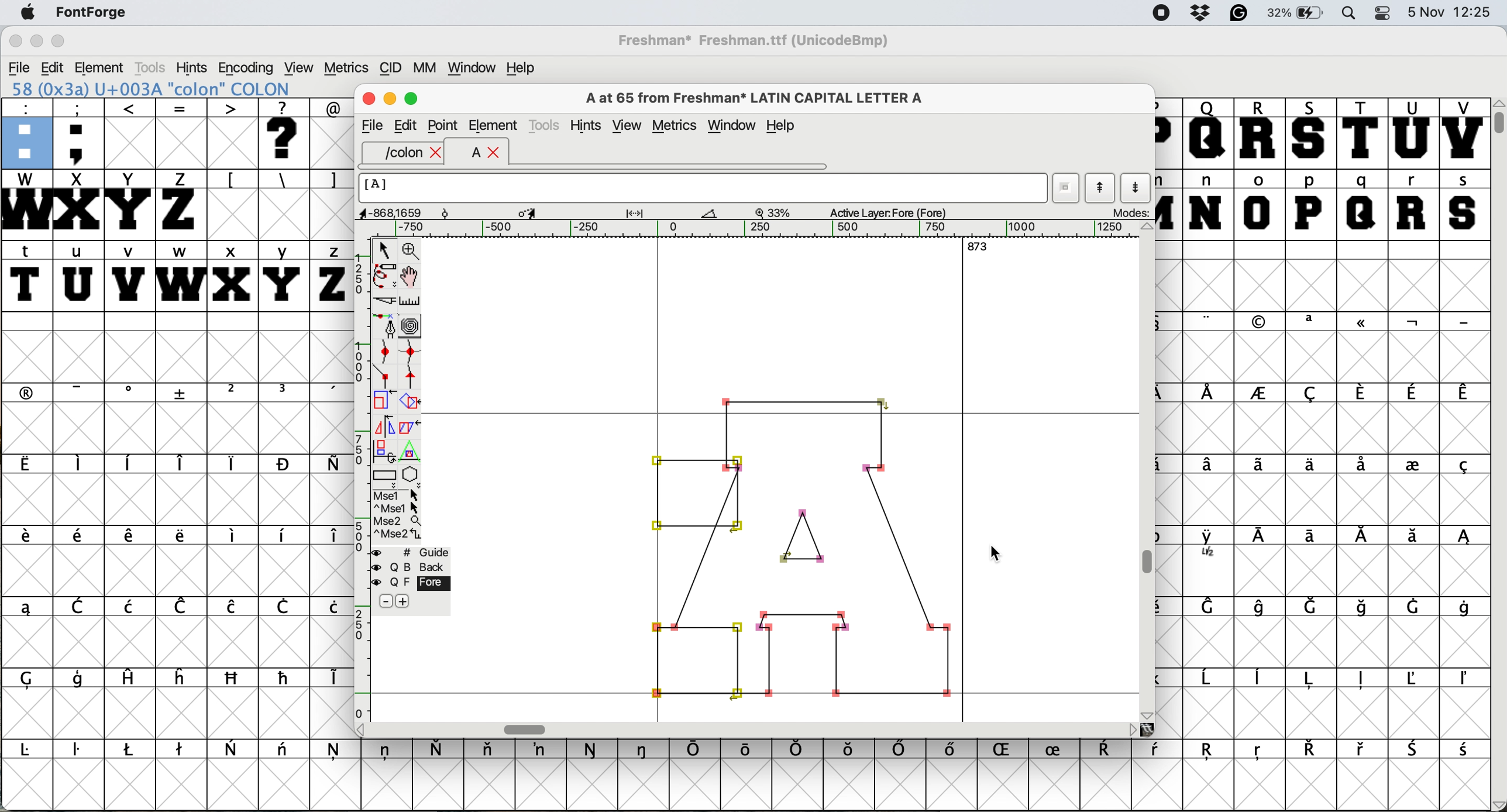  What do you see at coordinates (408, 551) in the screenshot?
I see `guide` at bounding box center [408, 551].